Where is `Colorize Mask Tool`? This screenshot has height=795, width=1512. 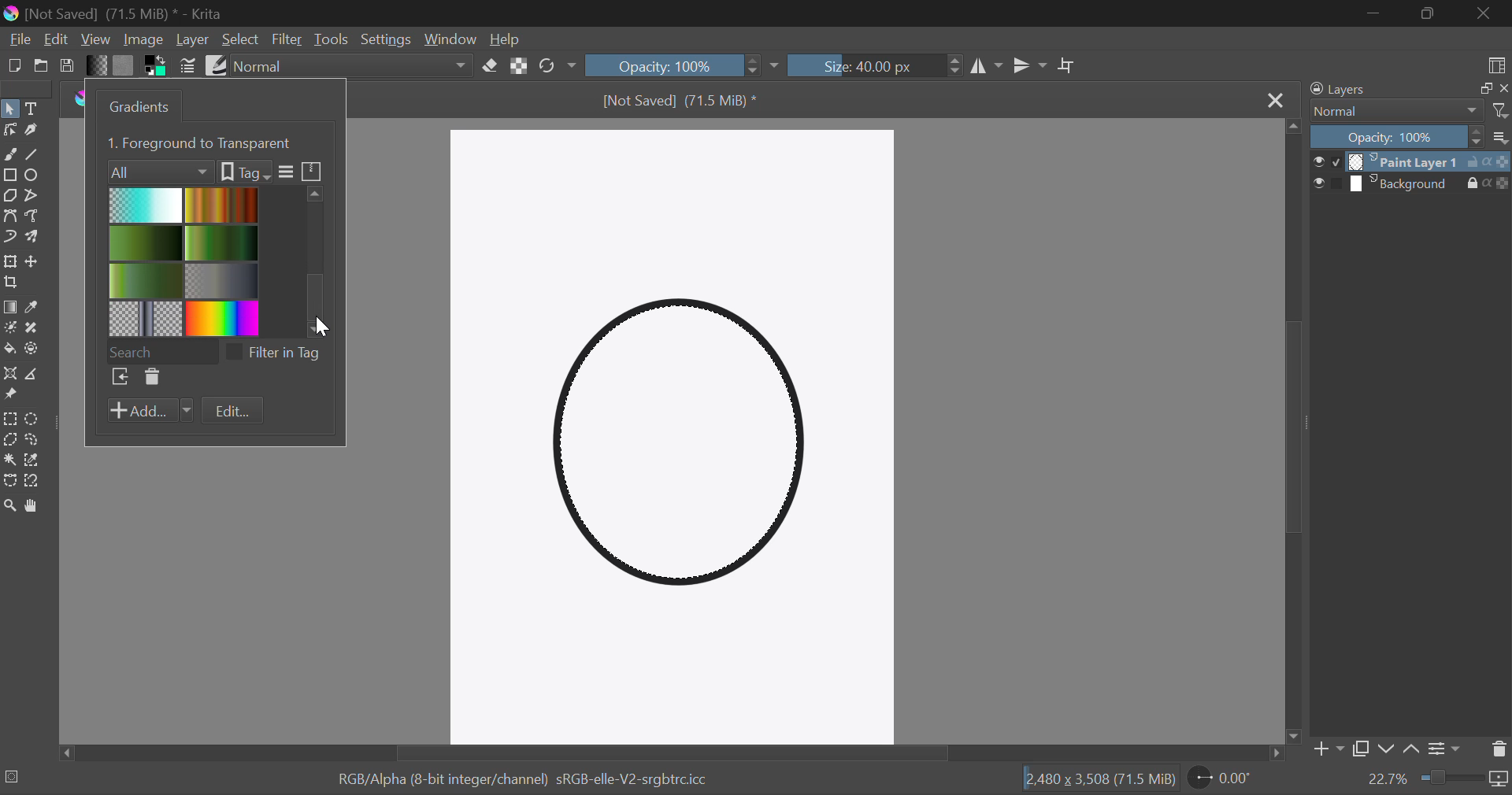
Colorize Mask Tool is located at coordinates (10, 331).